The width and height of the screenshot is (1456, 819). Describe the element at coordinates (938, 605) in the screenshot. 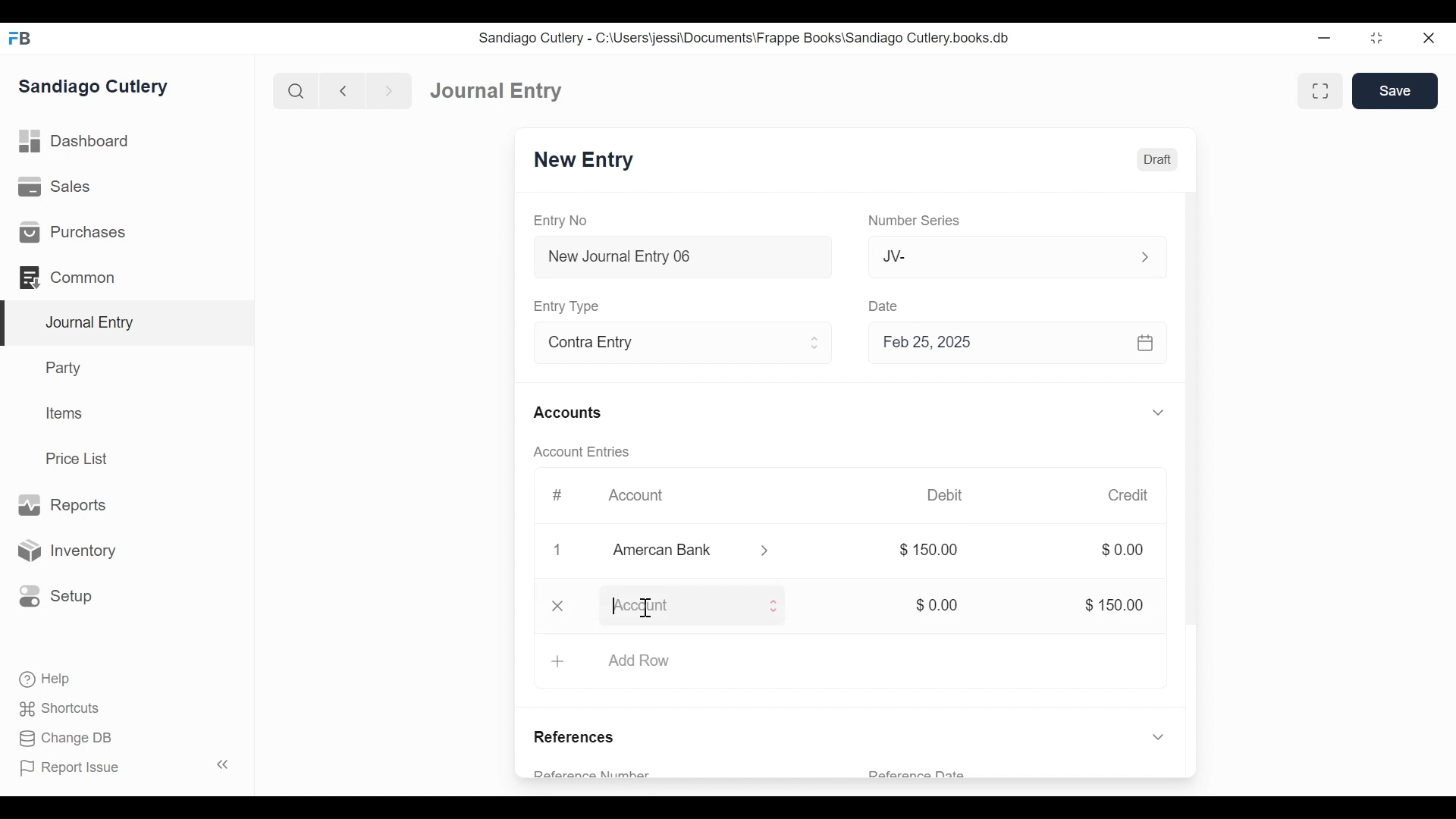

I see `$0.00` at that location.